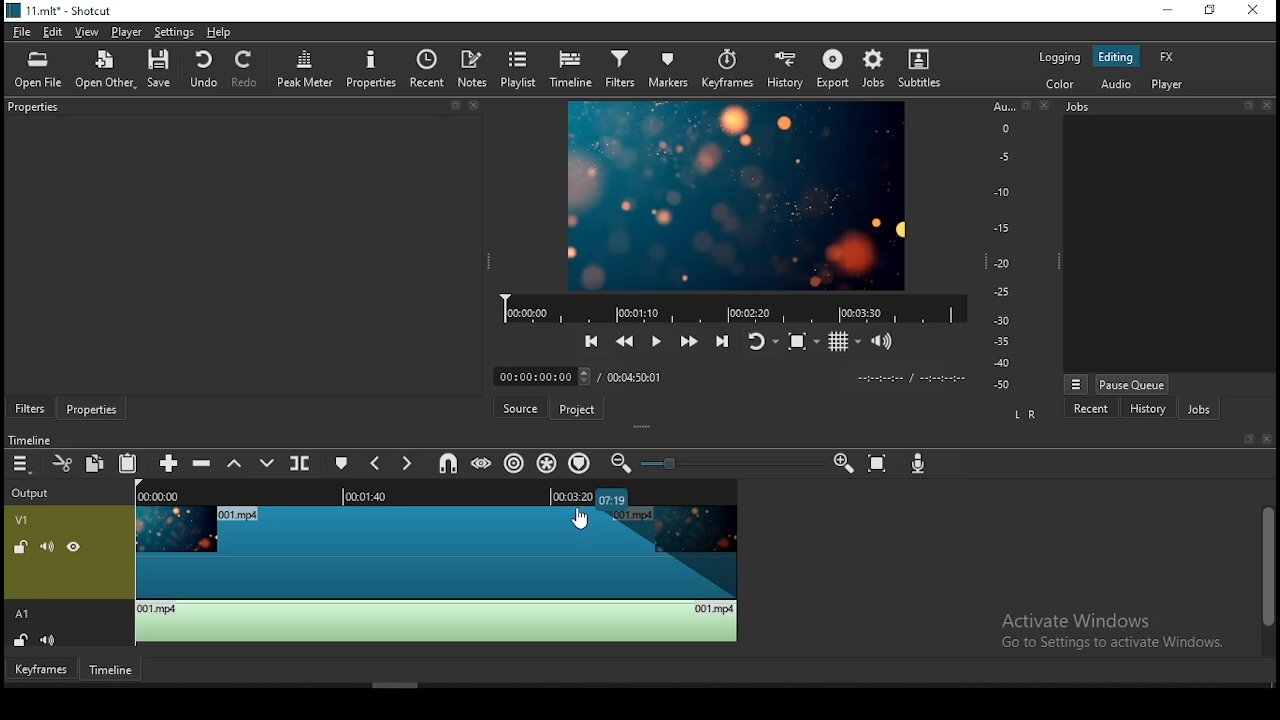 The height and width of the screenshot is (720, 1280). What do you see at coordinates (20, 31) in the screenshot?
I see `file` at bounding box center [20, 31].